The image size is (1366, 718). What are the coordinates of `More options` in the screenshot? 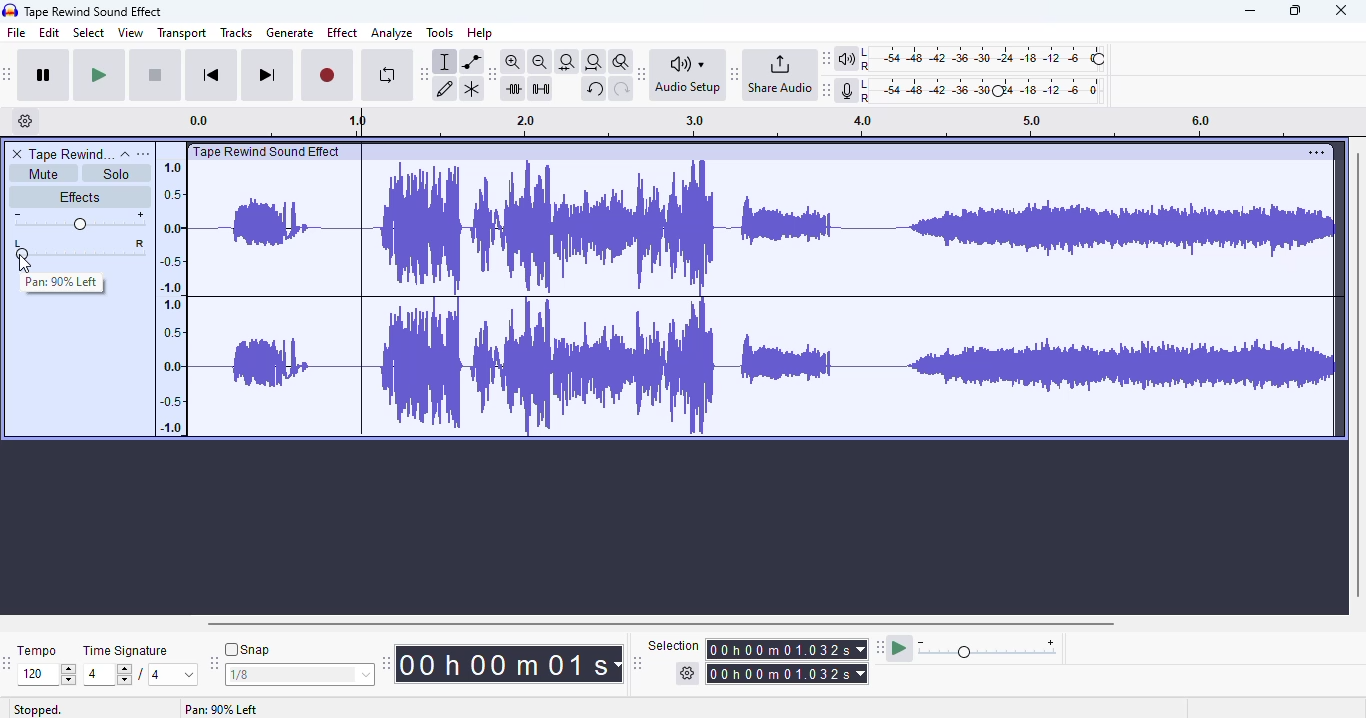 It's located at (1313, 152).